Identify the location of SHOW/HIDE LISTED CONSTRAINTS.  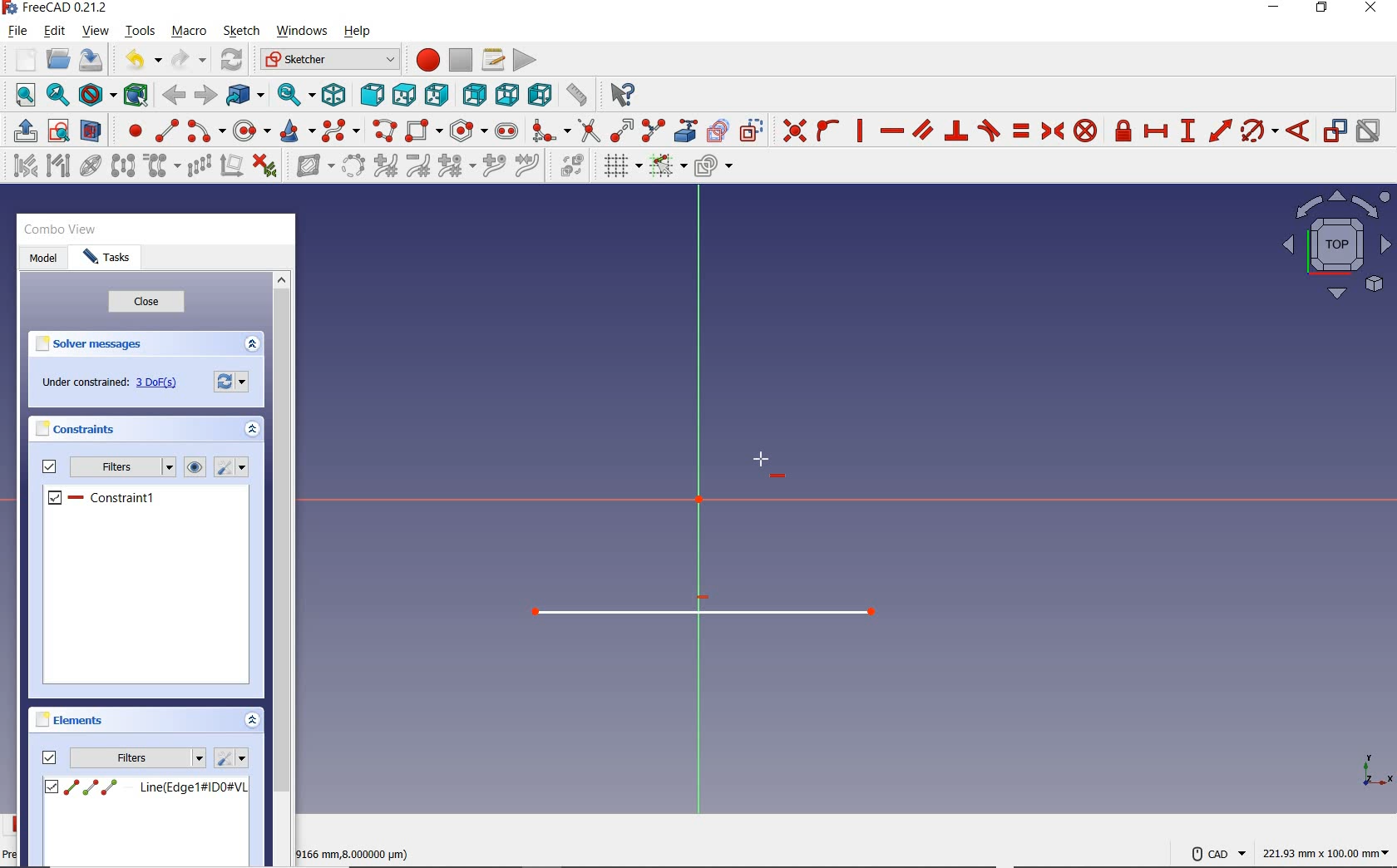
(195, 467).